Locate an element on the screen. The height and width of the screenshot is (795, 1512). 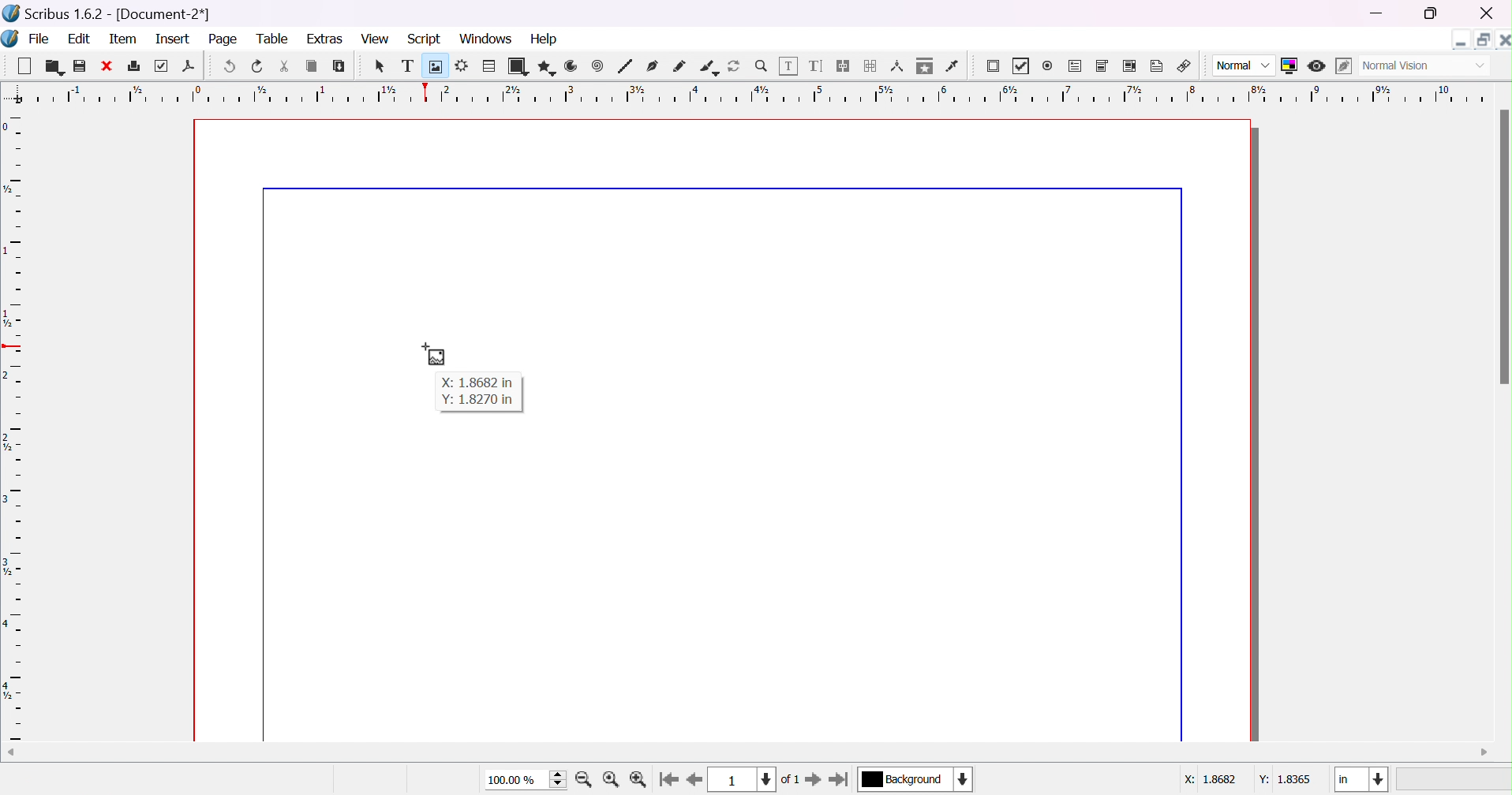
current layer is located at coordinates (916, 778).